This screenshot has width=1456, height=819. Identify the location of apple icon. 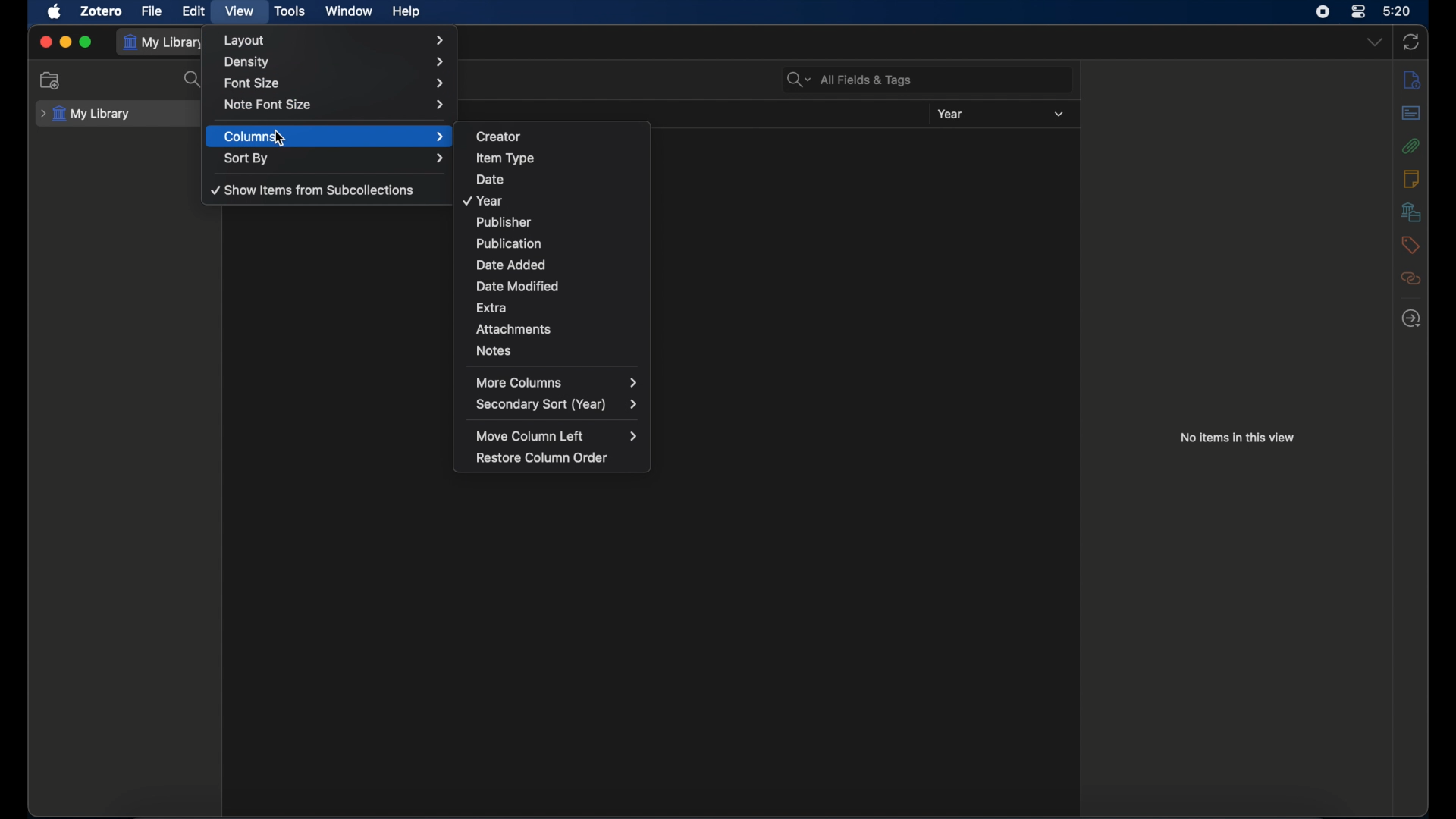
(54, 11).